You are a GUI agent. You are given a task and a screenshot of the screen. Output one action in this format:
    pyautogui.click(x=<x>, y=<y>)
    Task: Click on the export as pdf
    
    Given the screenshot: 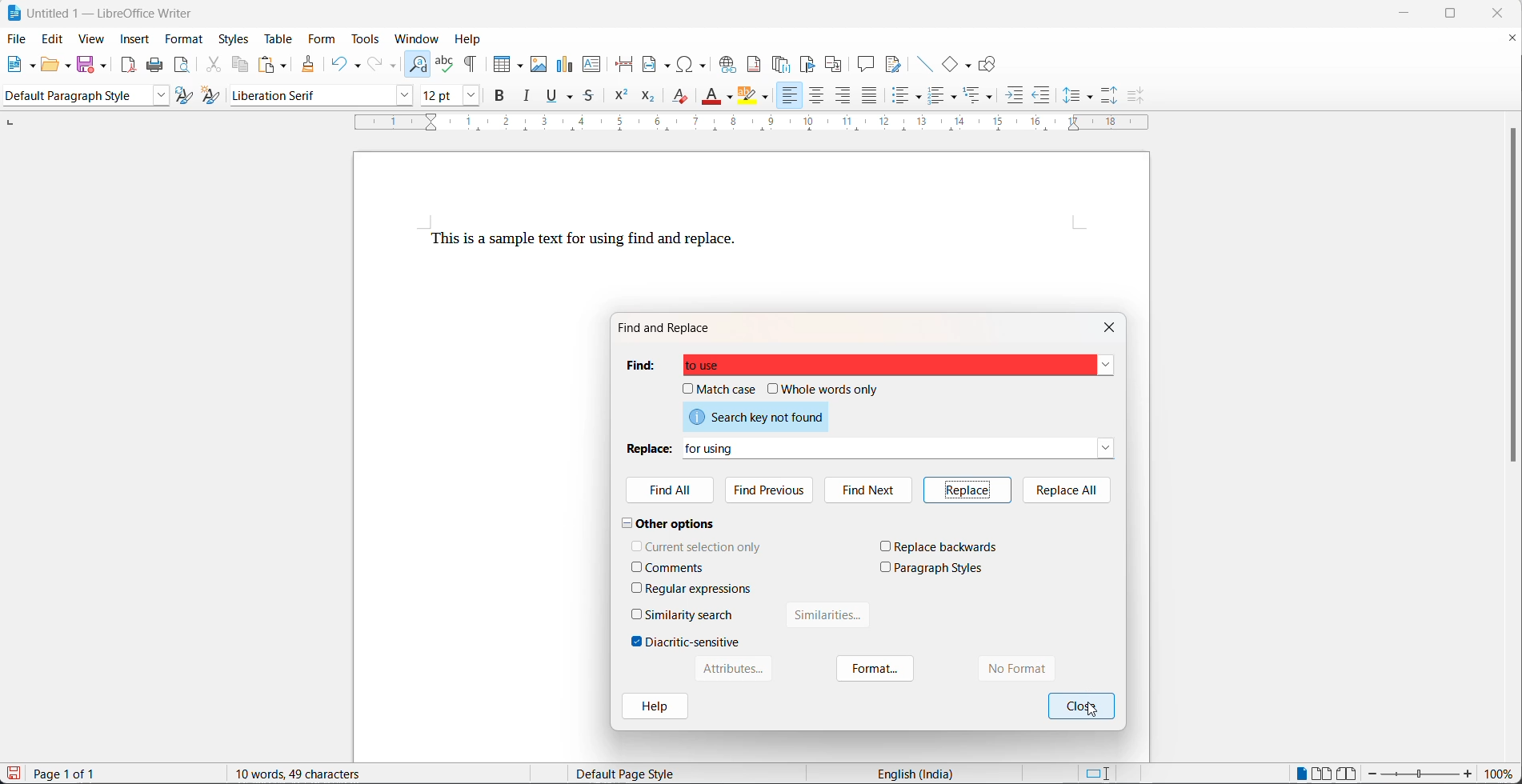 What is the action you would take?
    pyautogui.click(x=128, y=64)
    